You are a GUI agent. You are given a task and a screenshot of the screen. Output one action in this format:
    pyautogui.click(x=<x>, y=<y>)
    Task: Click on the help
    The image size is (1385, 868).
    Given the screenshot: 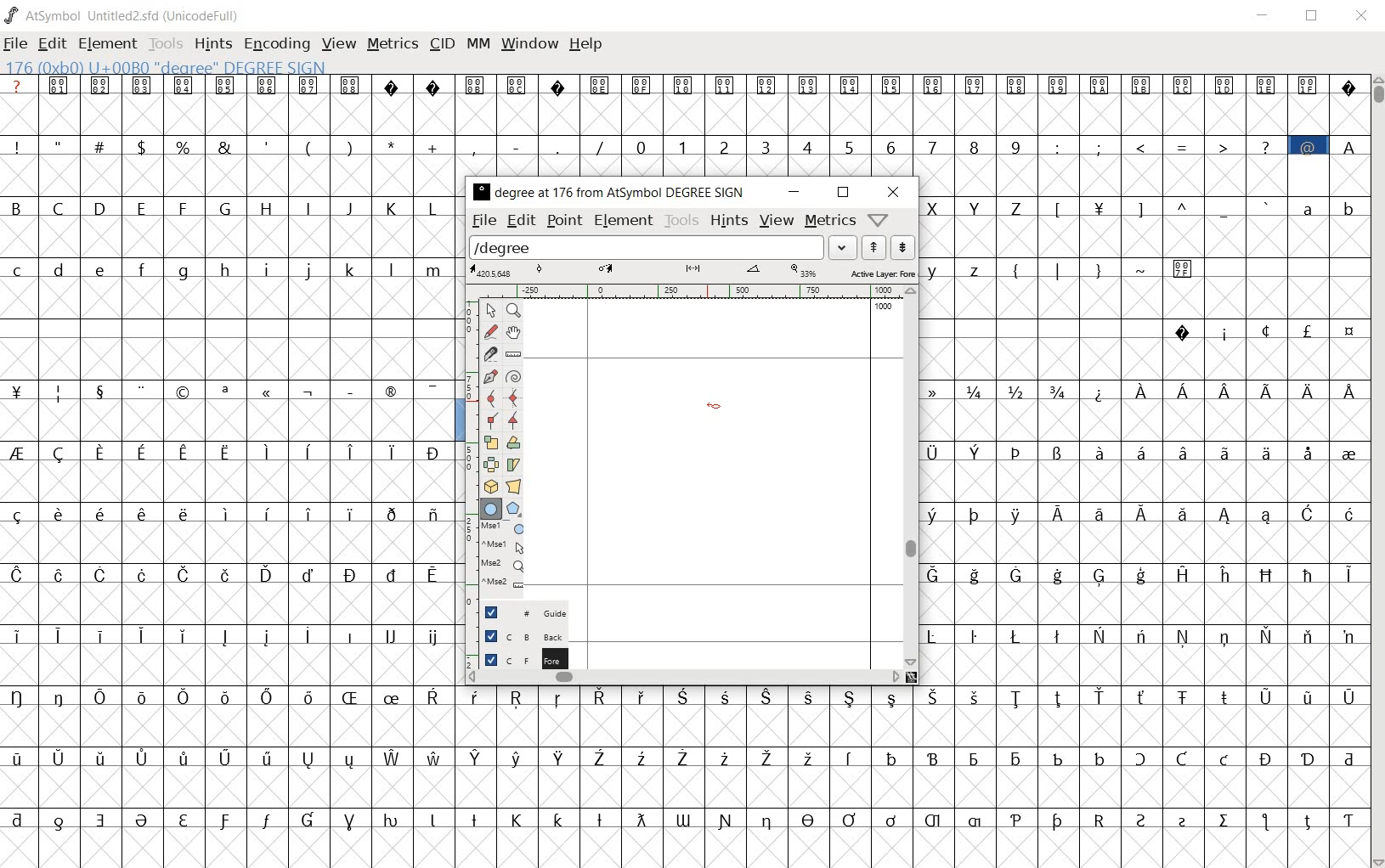 What is the action you would take?
    pyautogui.click(x=588, y=45)
    